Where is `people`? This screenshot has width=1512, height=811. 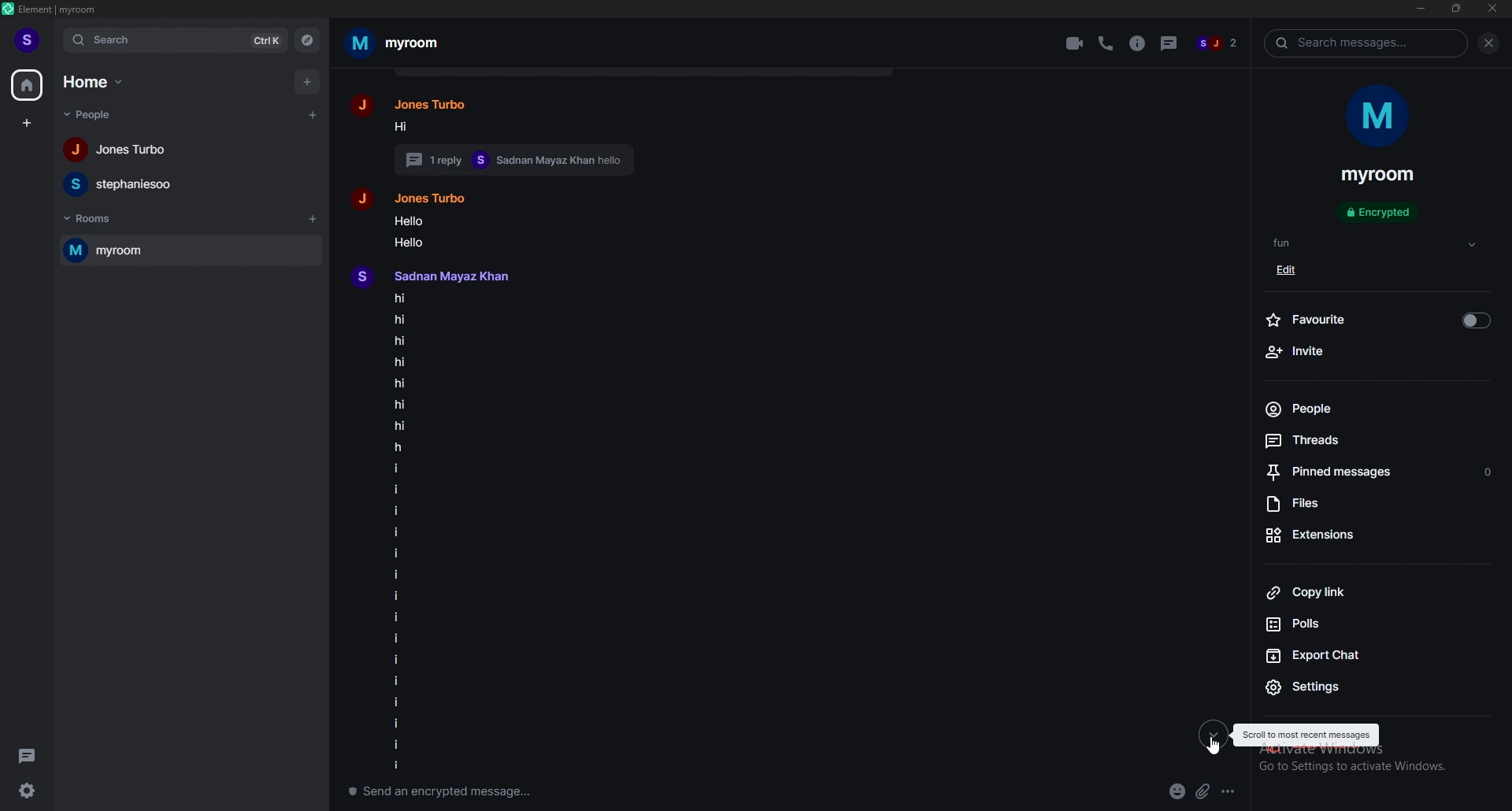
people is located at coordinates (1336, 409).